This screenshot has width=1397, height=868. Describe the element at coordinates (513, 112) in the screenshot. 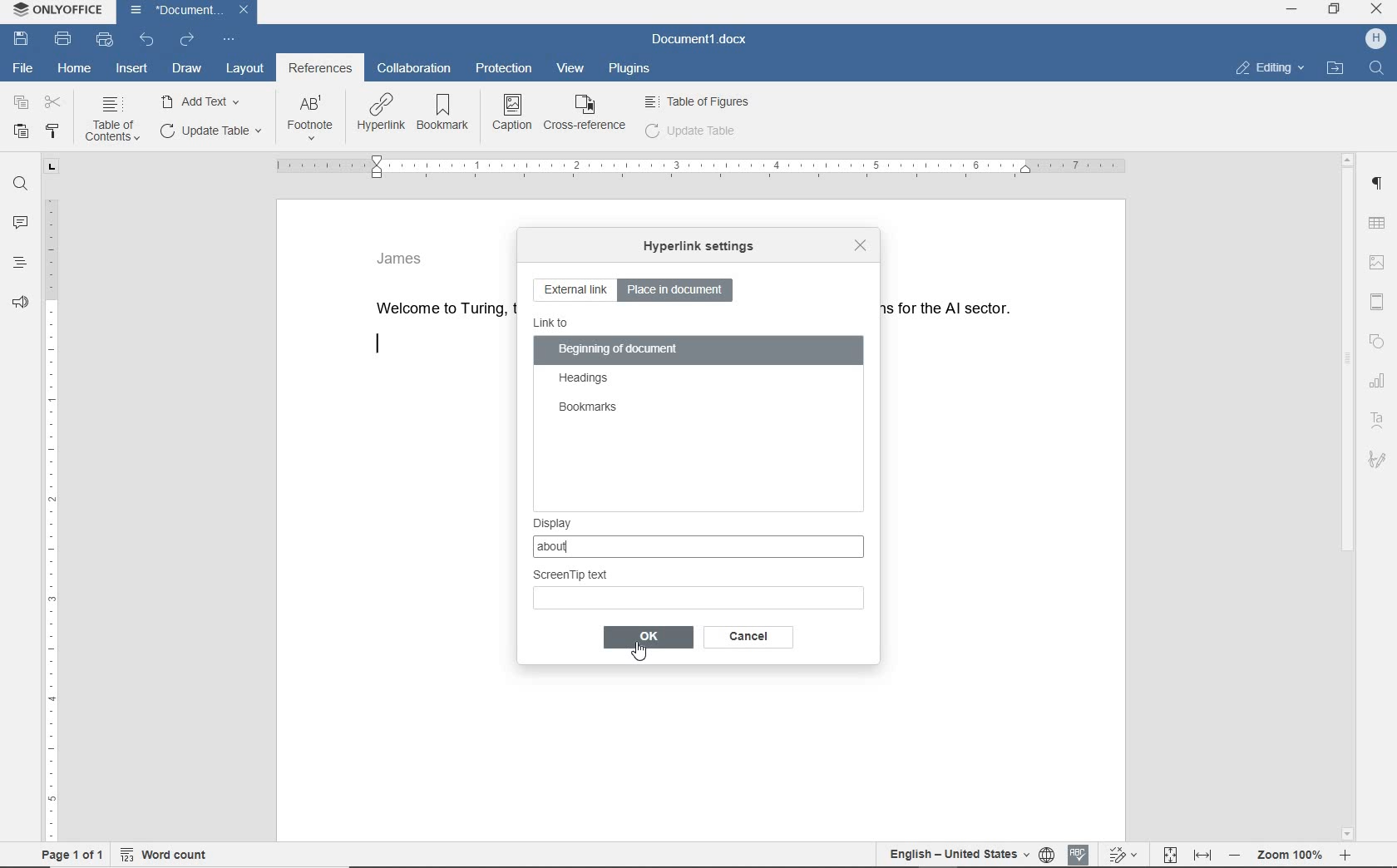

I see `CAPTION` at that location.